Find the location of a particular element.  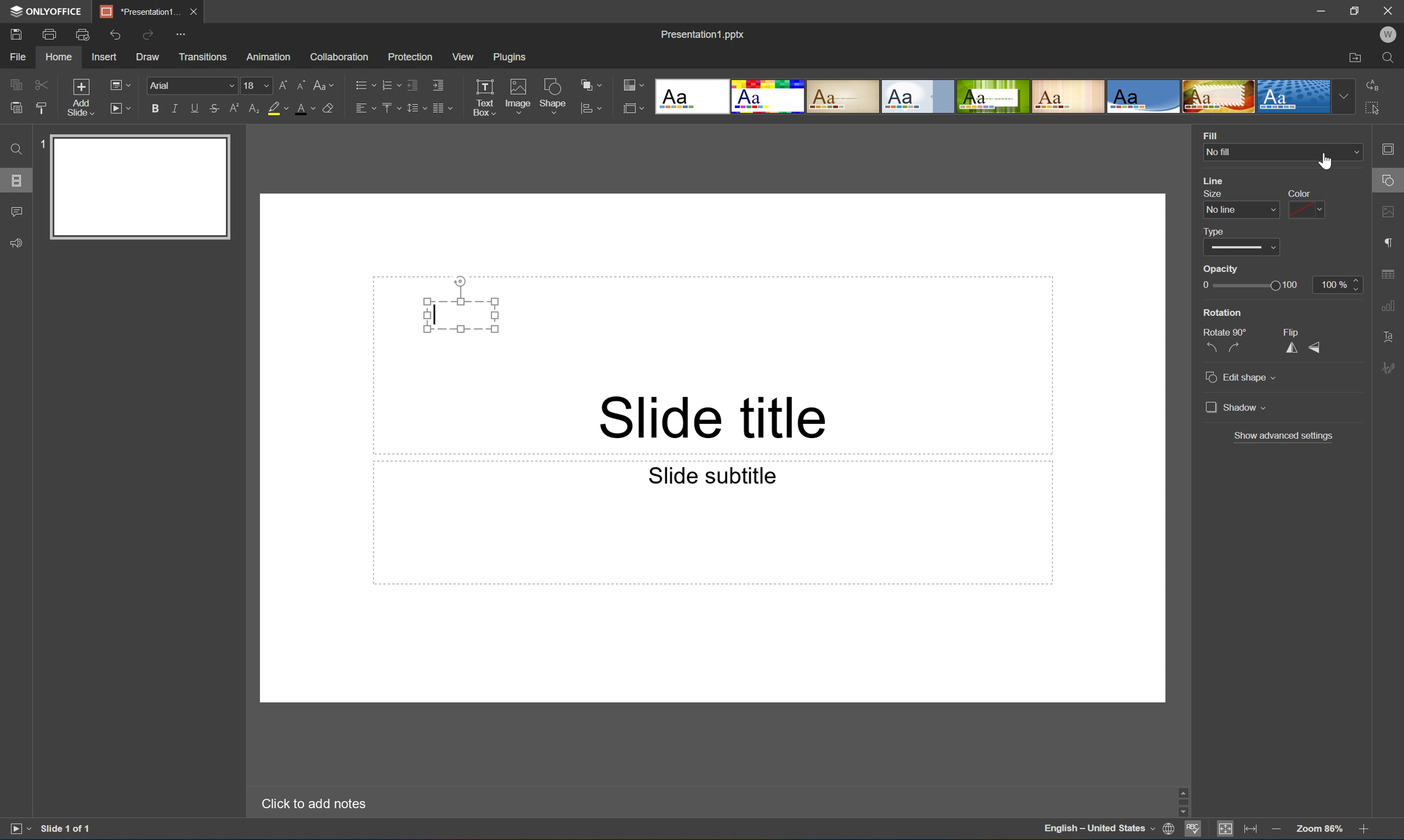

Flip vertically is located at coordinates (1320, 348).